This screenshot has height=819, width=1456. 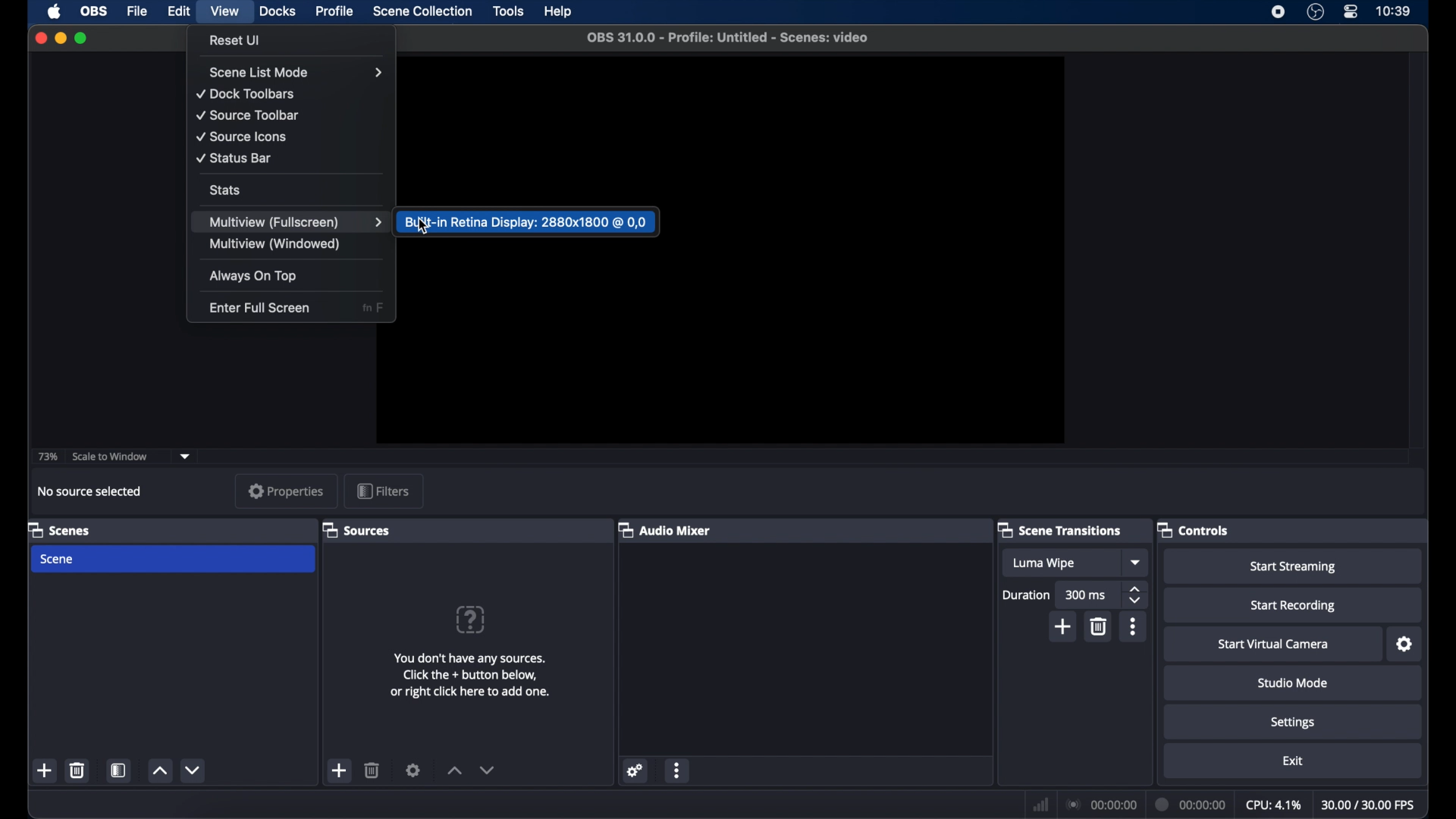 I want to click on decrement, so click(x=492, y=770).